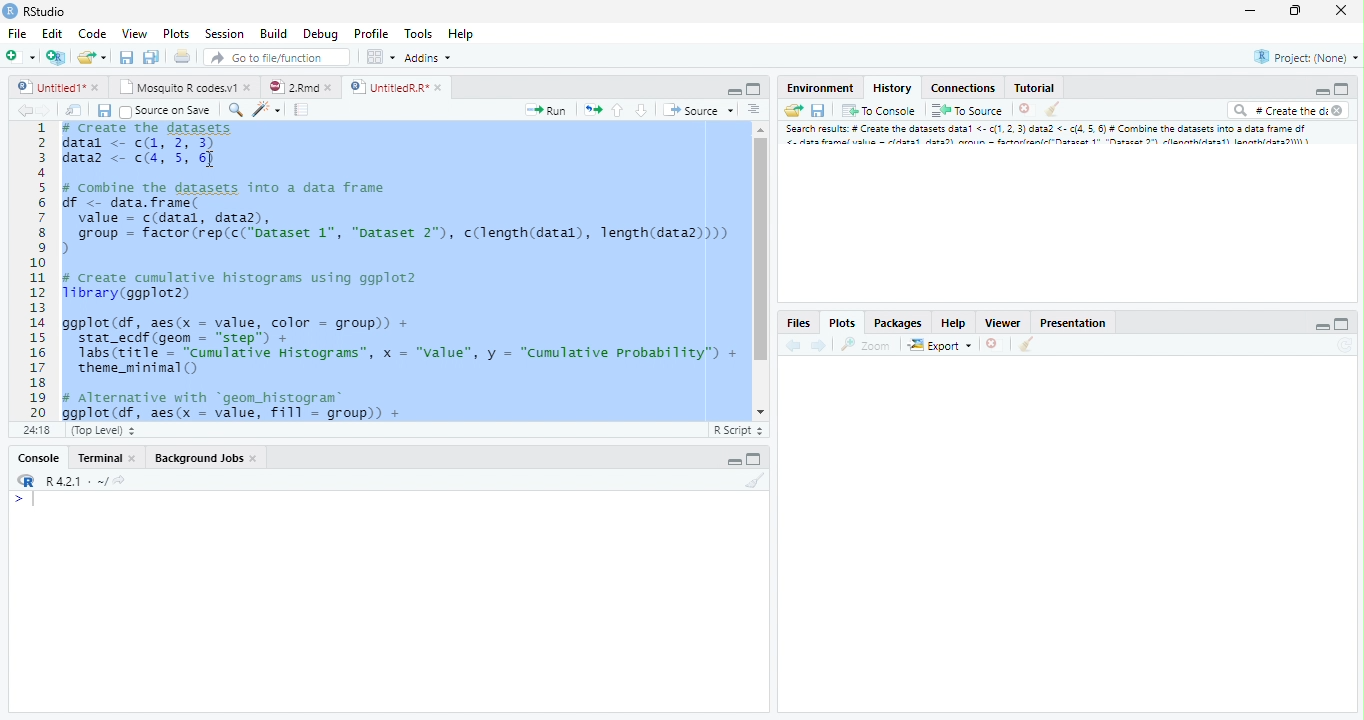  Describe the element at coordinates (757, 460) in the screenshot. I see `Maximize` at that location.